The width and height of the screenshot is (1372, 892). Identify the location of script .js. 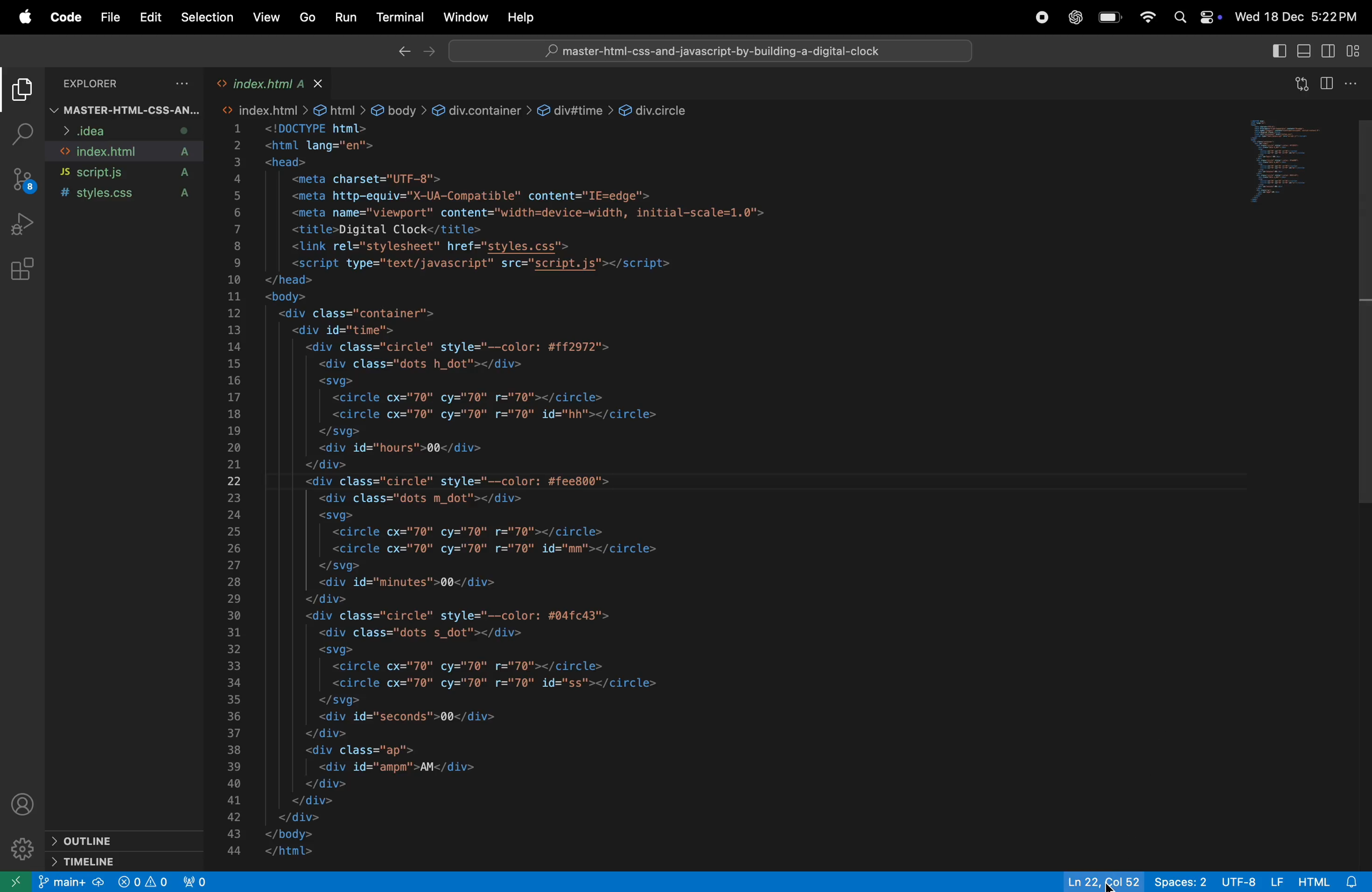
(129, 172).